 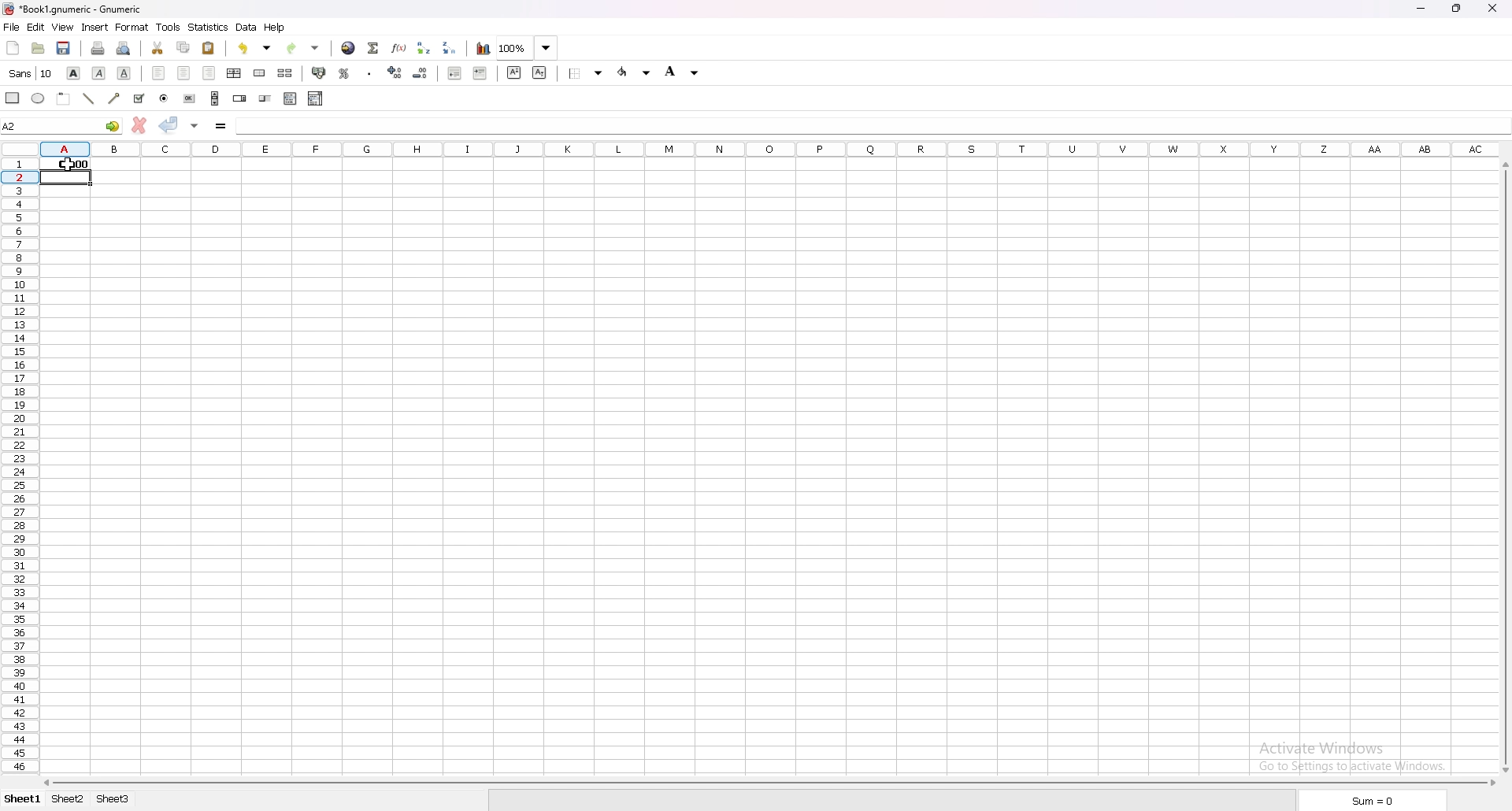 What do you see at coordinates (208, 49) in the screenshot?
I see `paste` at bounding box center [208, 49].